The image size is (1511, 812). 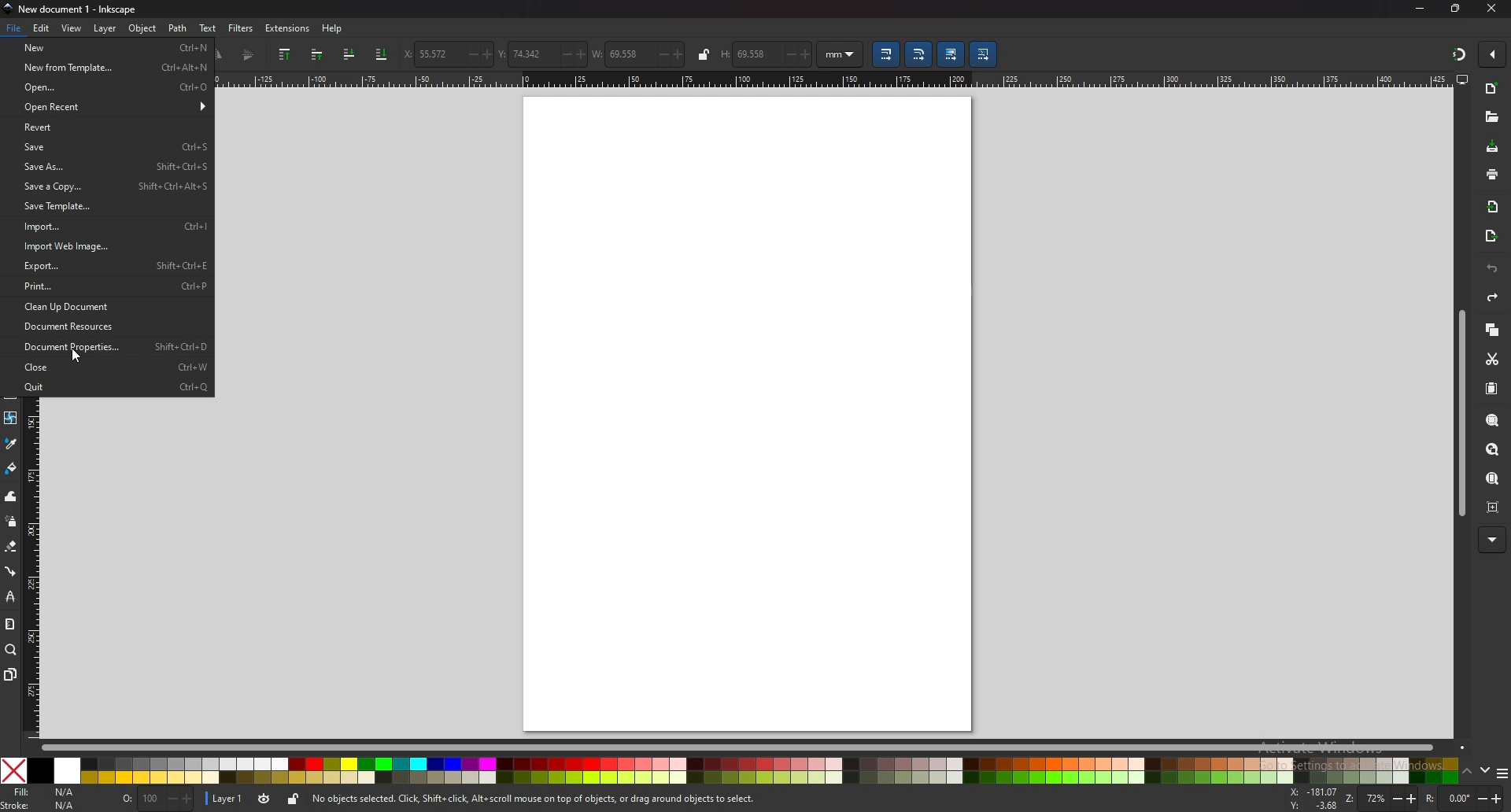 What do you see at coordinates (206, 28) in the screenshot?
I see `text` at bounding box center [206, 28].